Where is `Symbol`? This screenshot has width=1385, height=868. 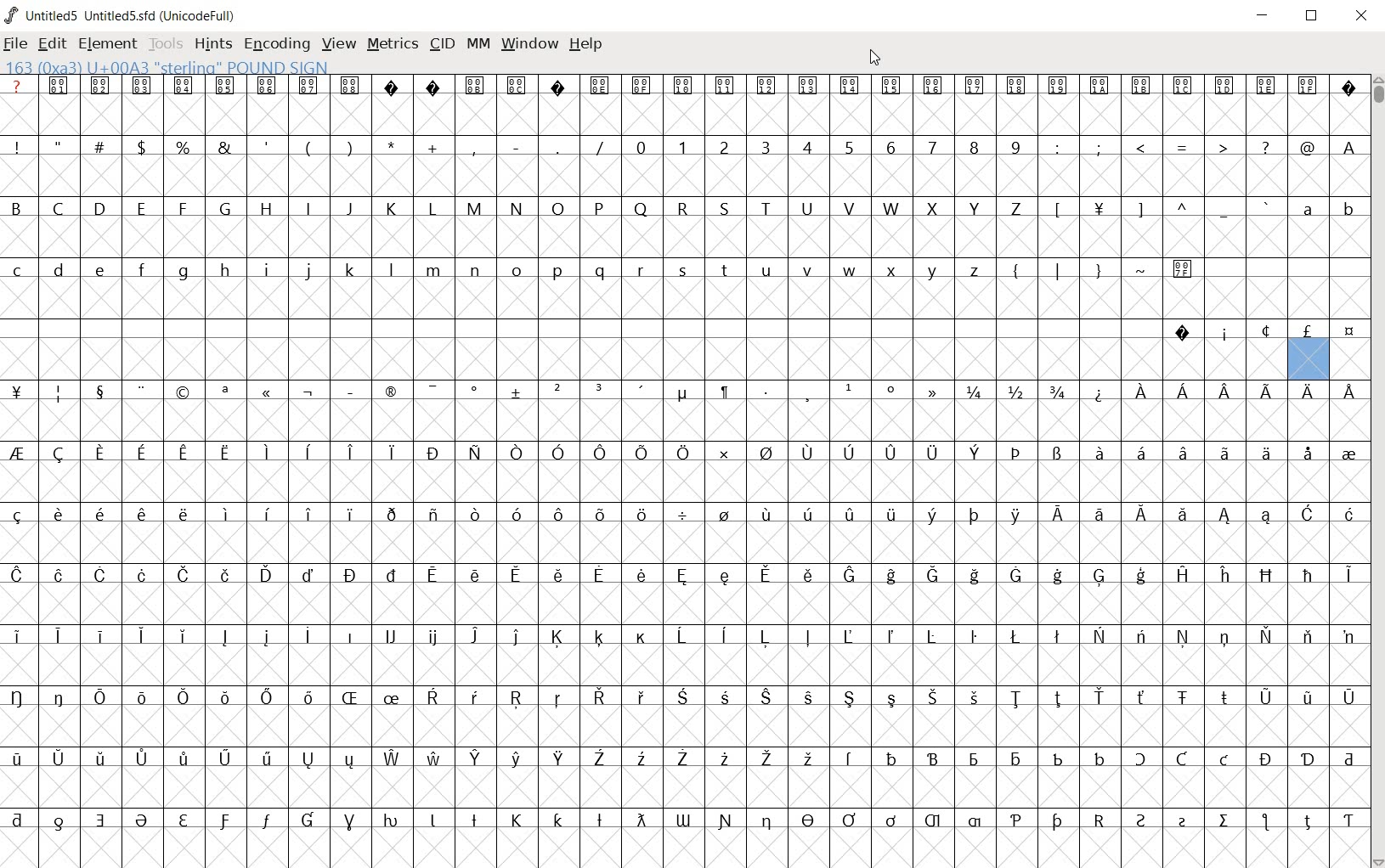
Symbol is located at coordinates (933, 516).